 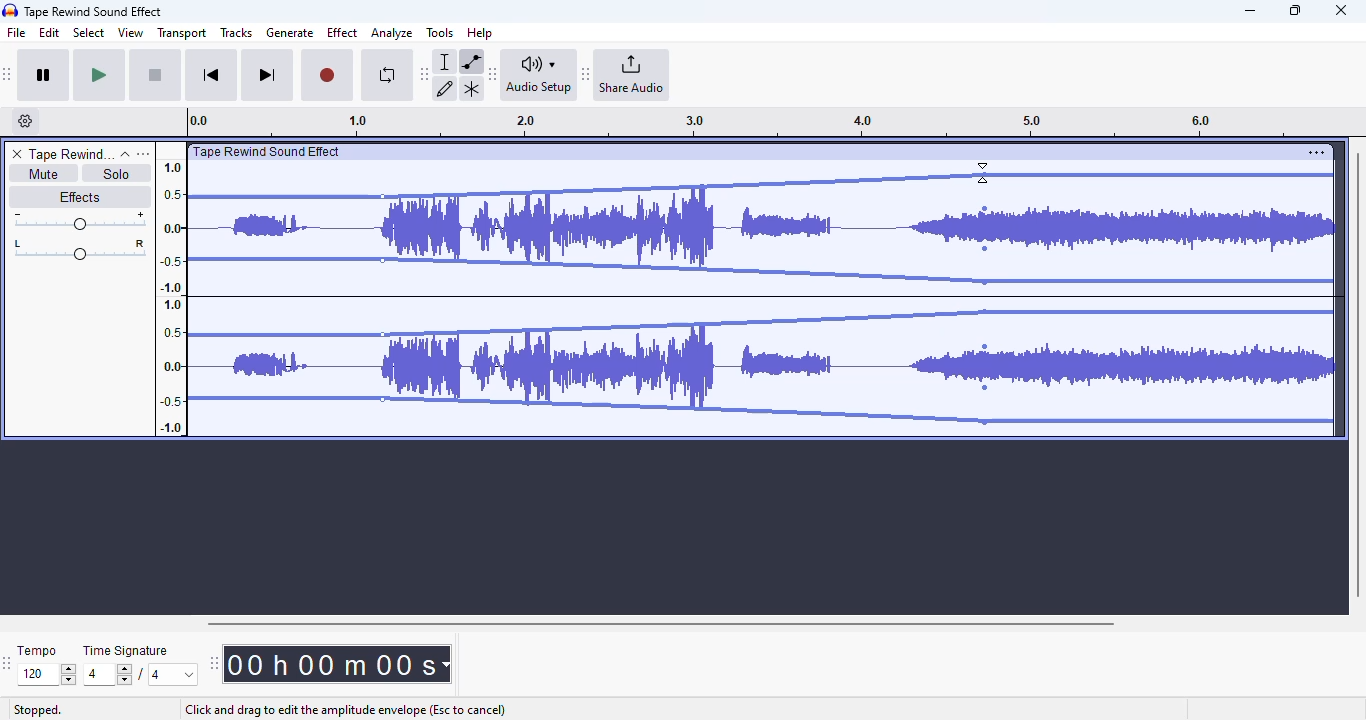 I want to click on Cursor, so click(x=982, y=173).